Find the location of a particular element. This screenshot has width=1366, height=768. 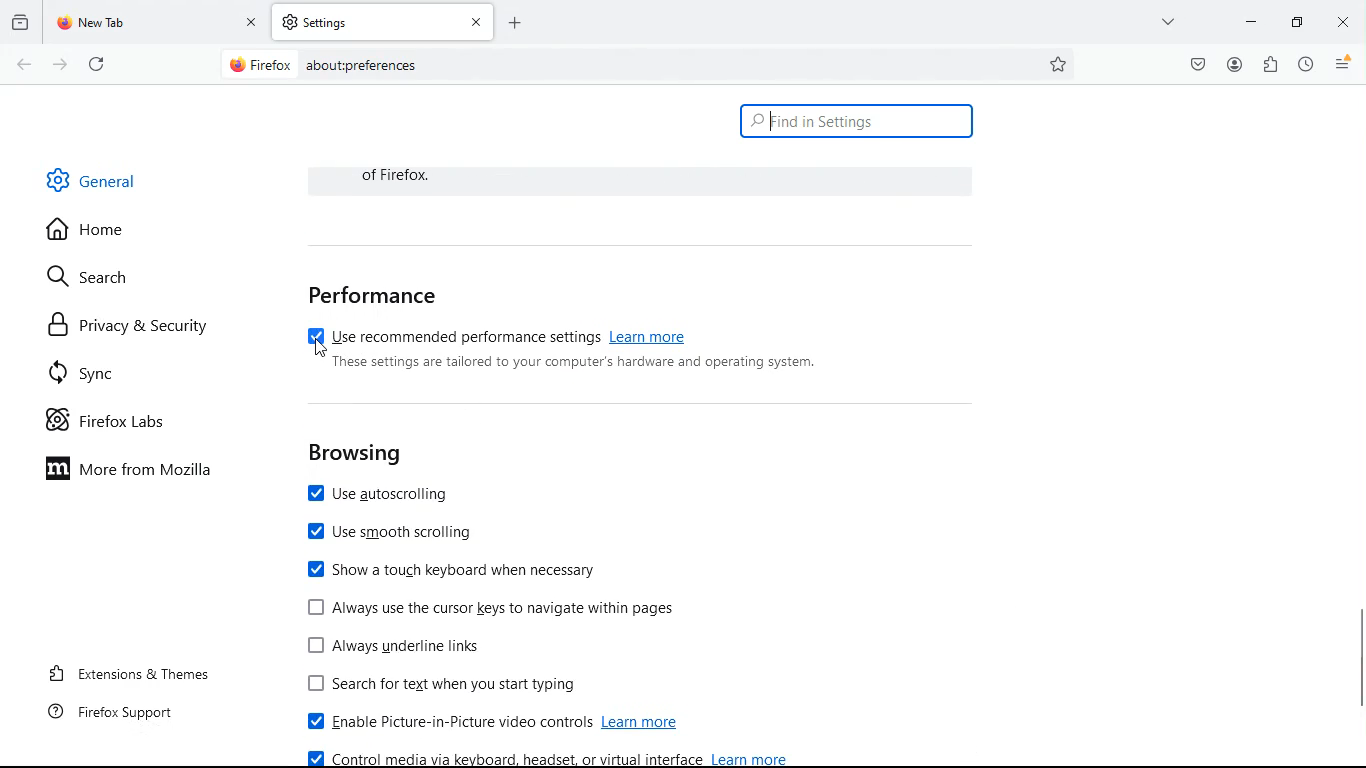

more is located at coordinates (1170, 21).